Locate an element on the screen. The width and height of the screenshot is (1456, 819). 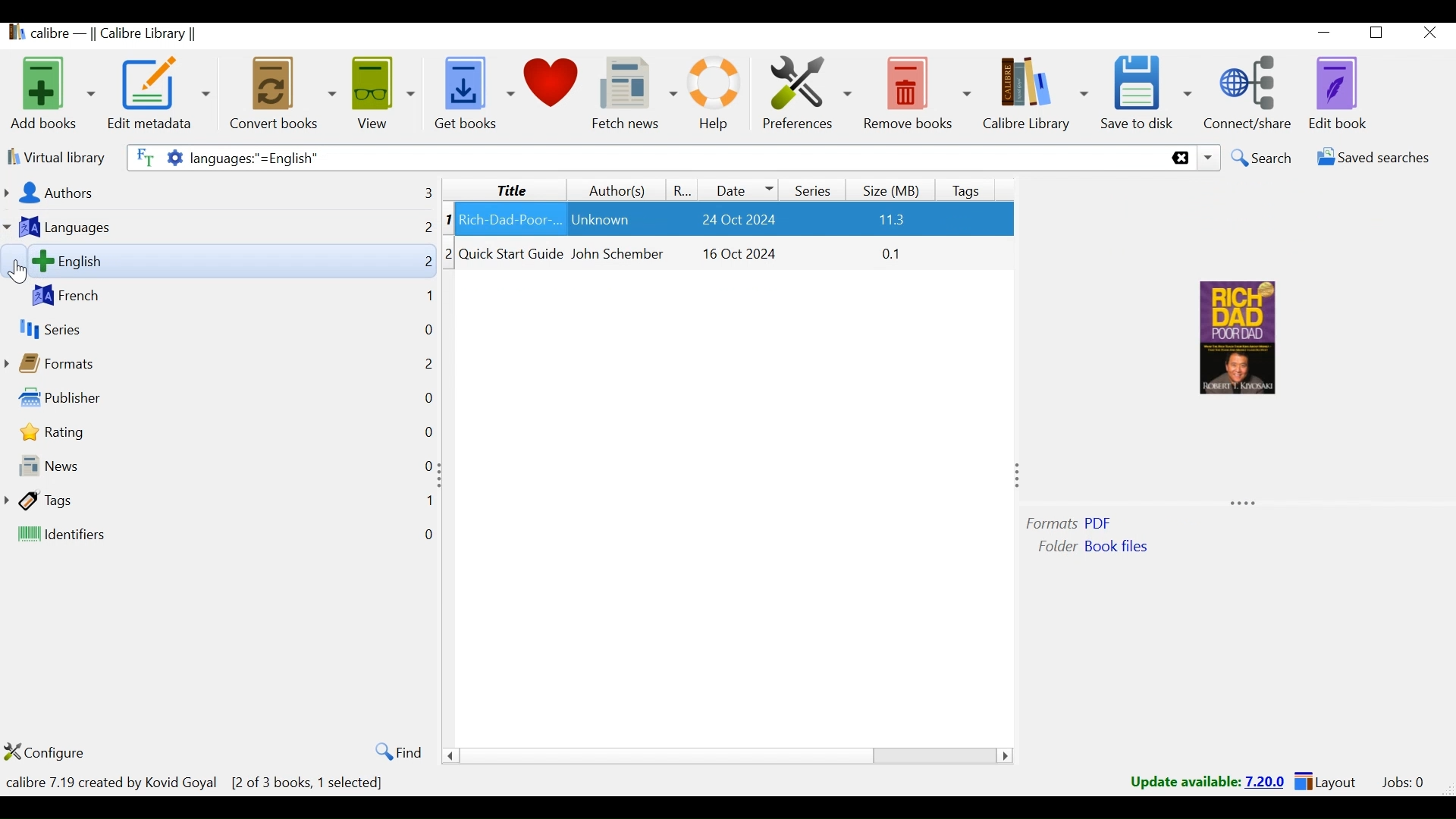
Series is located at coordinates (811, 188).